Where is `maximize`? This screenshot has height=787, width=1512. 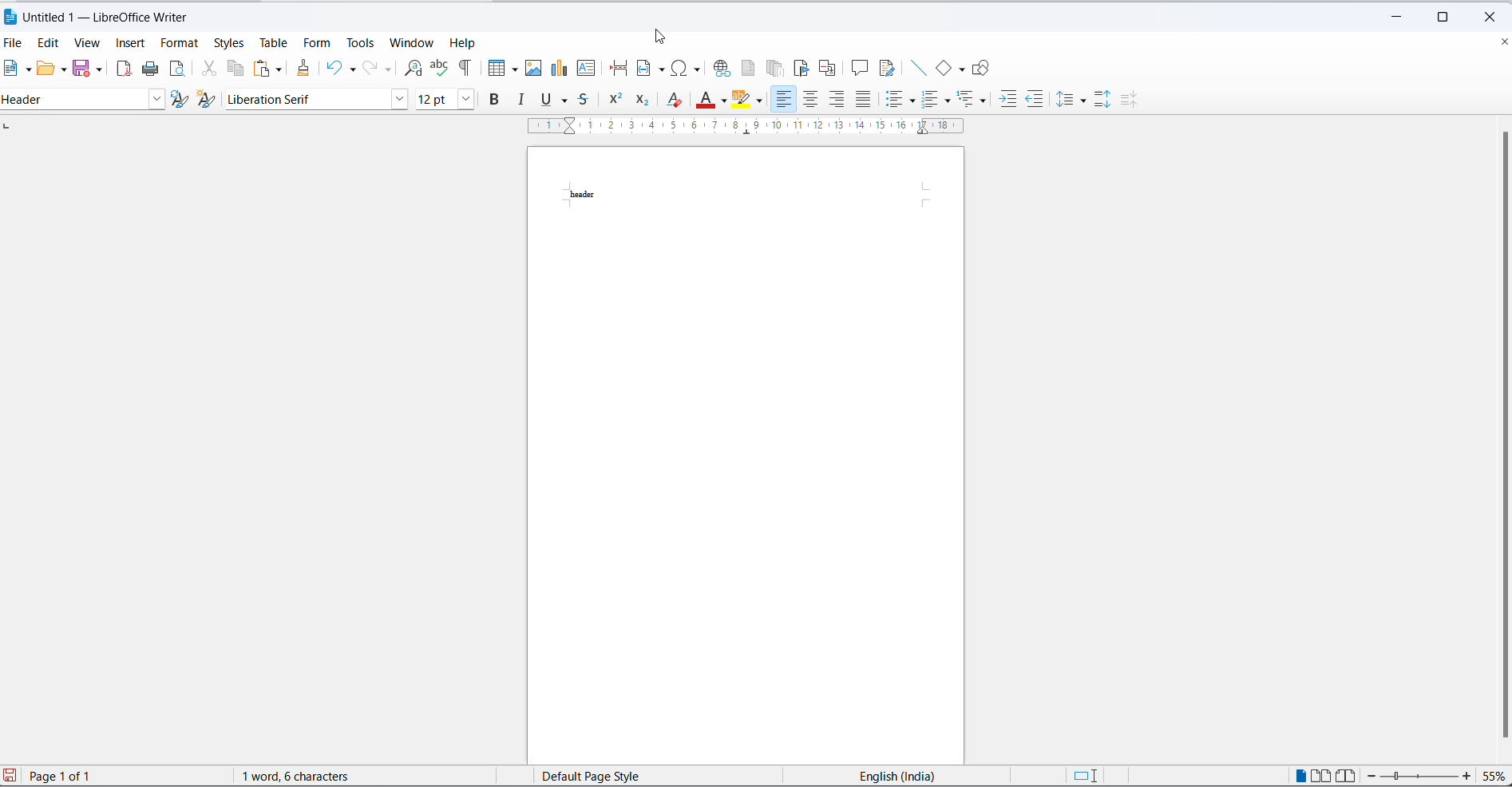 maximize is located at coordinates (1449, 14).